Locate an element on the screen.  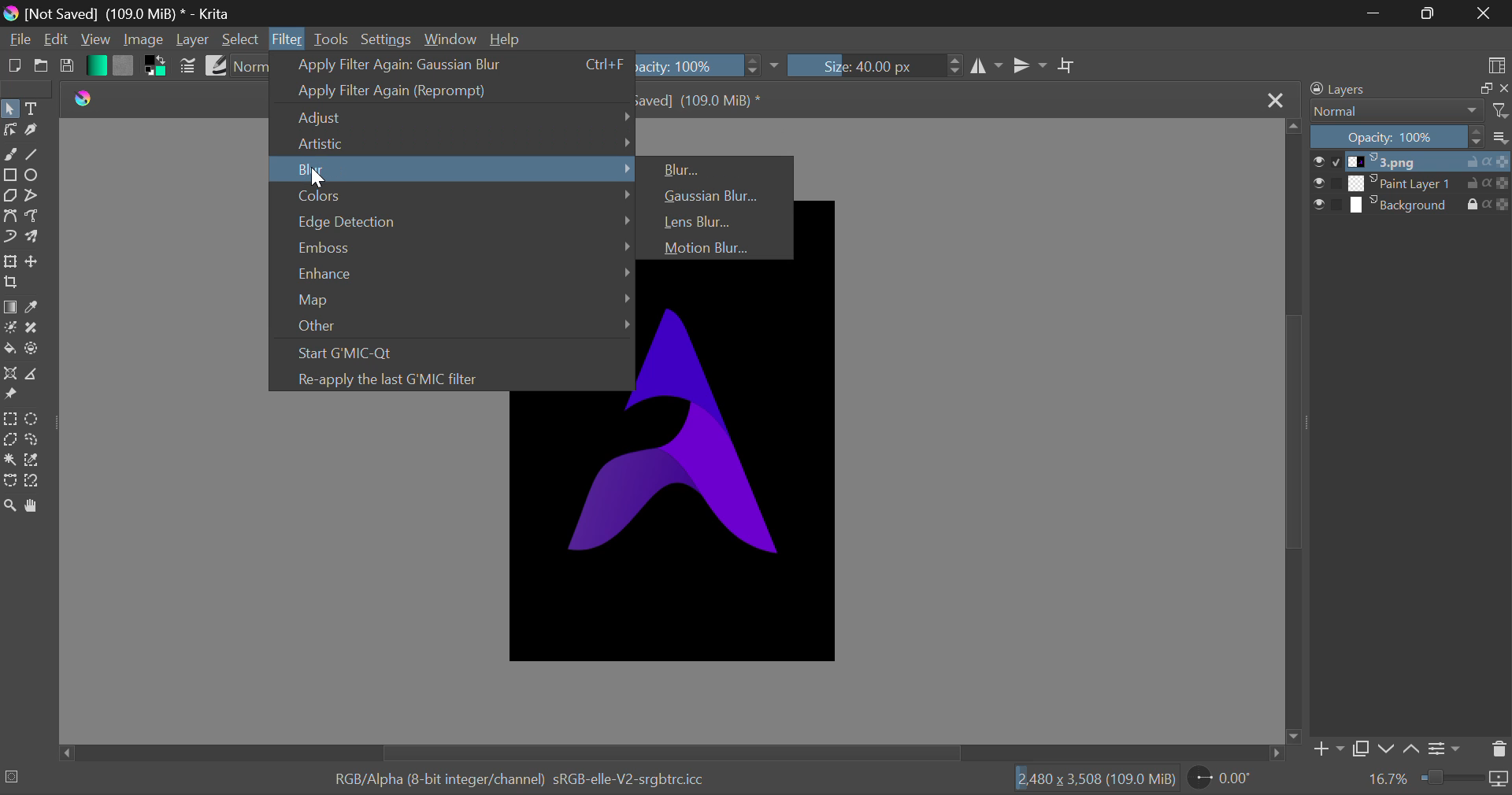
Enhance is located at coordinates (453, 272).